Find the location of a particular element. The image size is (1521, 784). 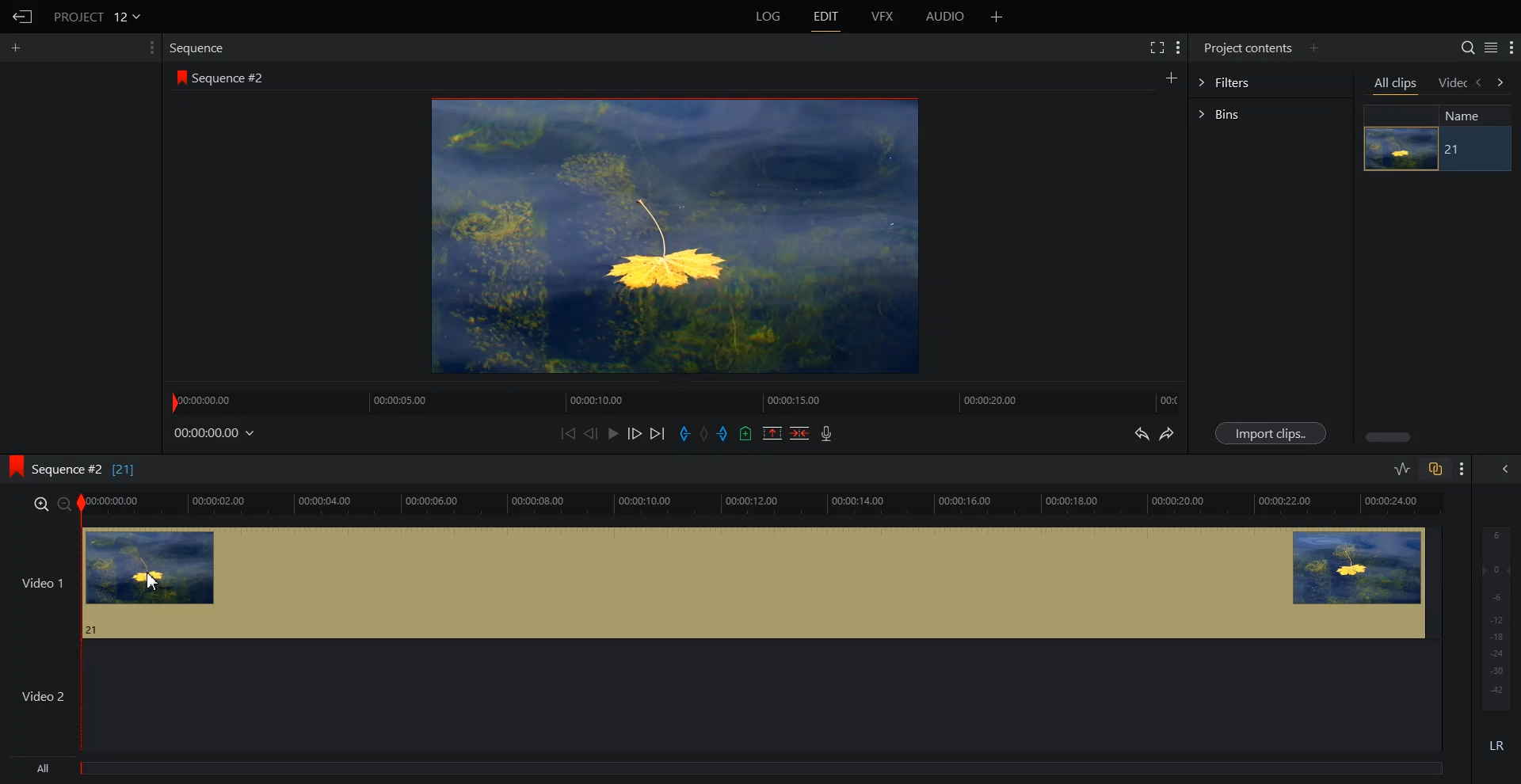

File Name is located at coordinates (99, 16).